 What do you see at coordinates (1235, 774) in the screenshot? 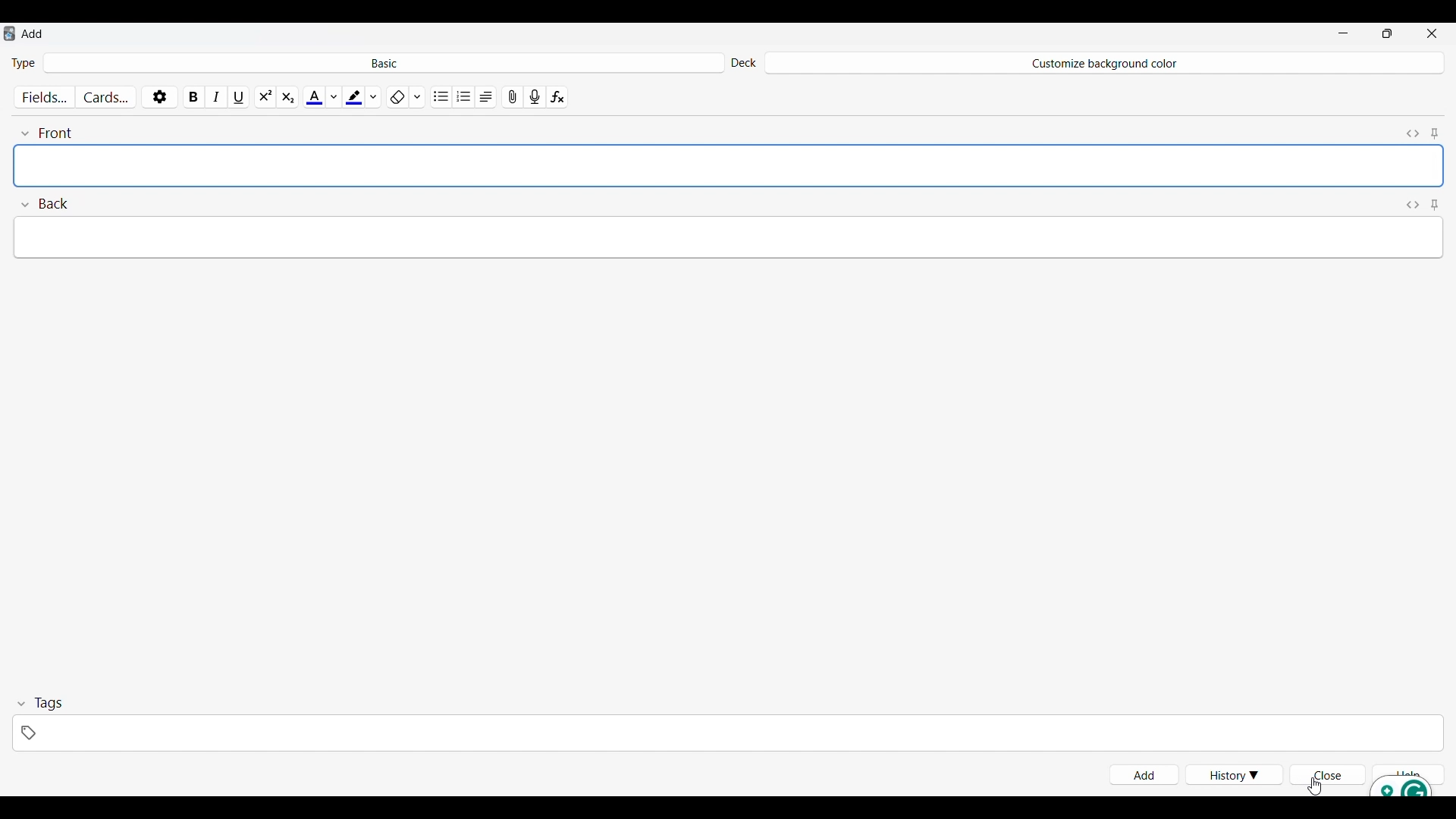
I see `` at bounding box center [1235, 774].